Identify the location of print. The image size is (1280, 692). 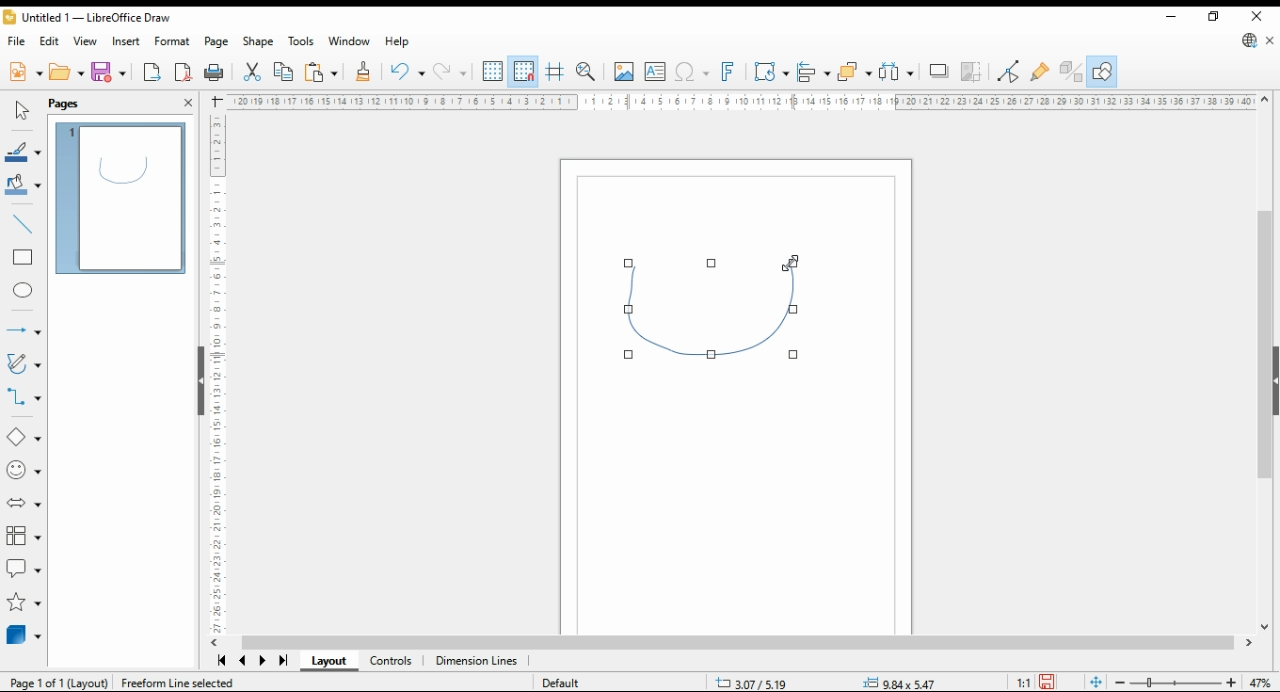
(216, 73).